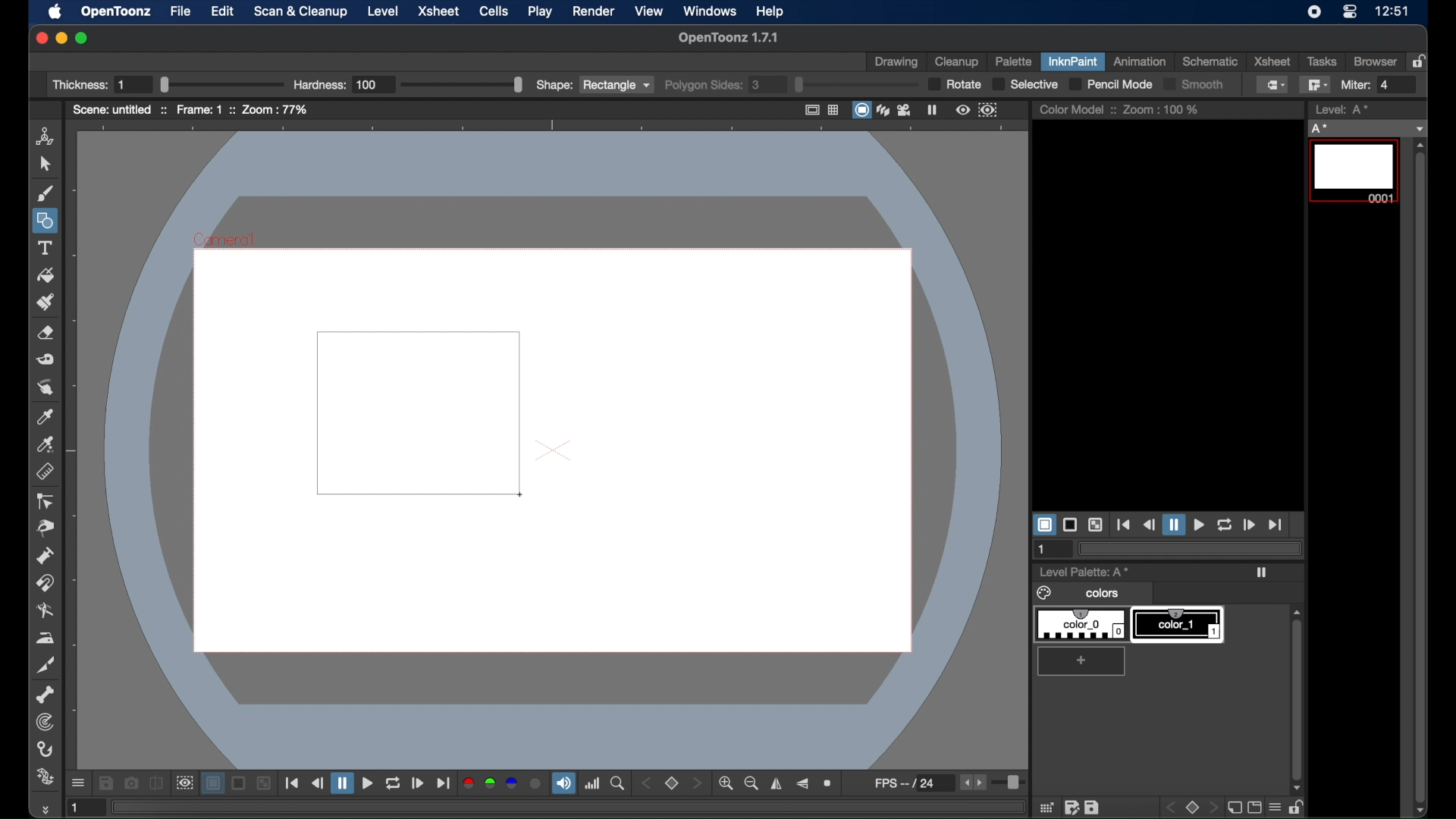  What do you see at coordinates (492, 11) in the screenshot?
I see `cells` at bounding box center [492, 11].